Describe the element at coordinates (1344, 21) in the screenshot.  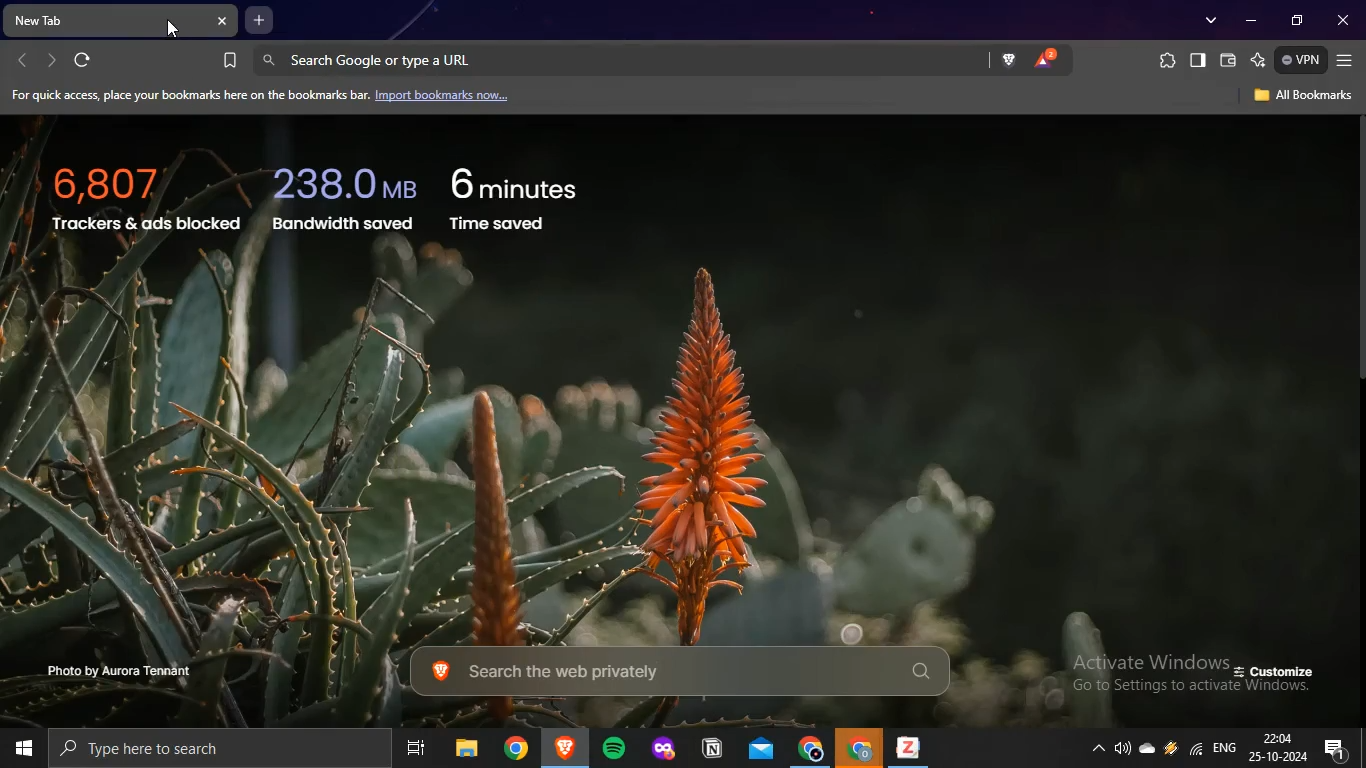
I see `close` at that location.